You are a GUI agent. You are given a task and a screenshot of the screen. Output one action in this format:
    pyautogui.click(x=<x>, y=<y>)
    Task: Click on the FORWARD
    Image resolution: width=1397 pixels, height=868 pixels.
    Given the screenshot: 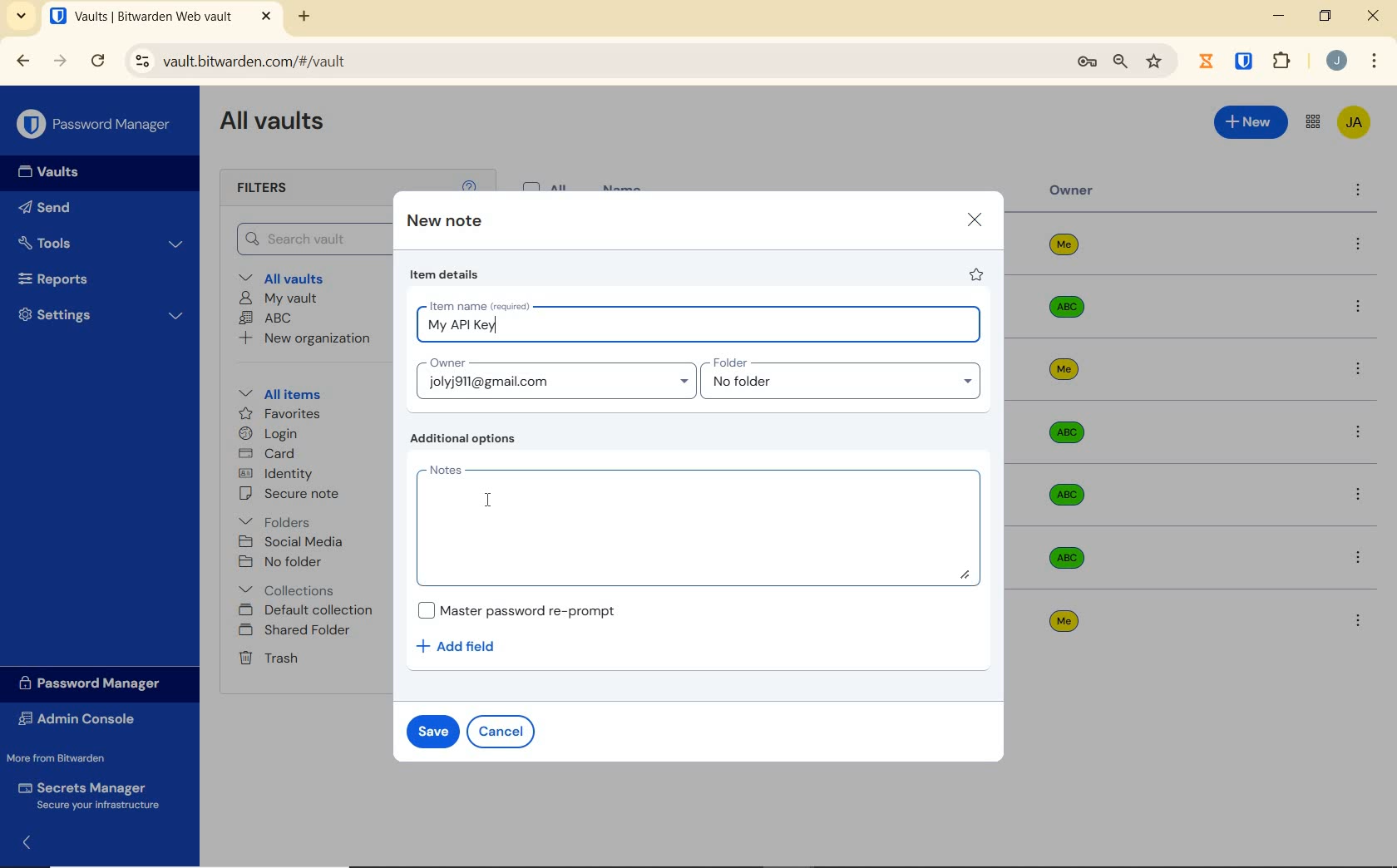 What is the action you would take?
    pyautogui.click(x=61, y=62)
    